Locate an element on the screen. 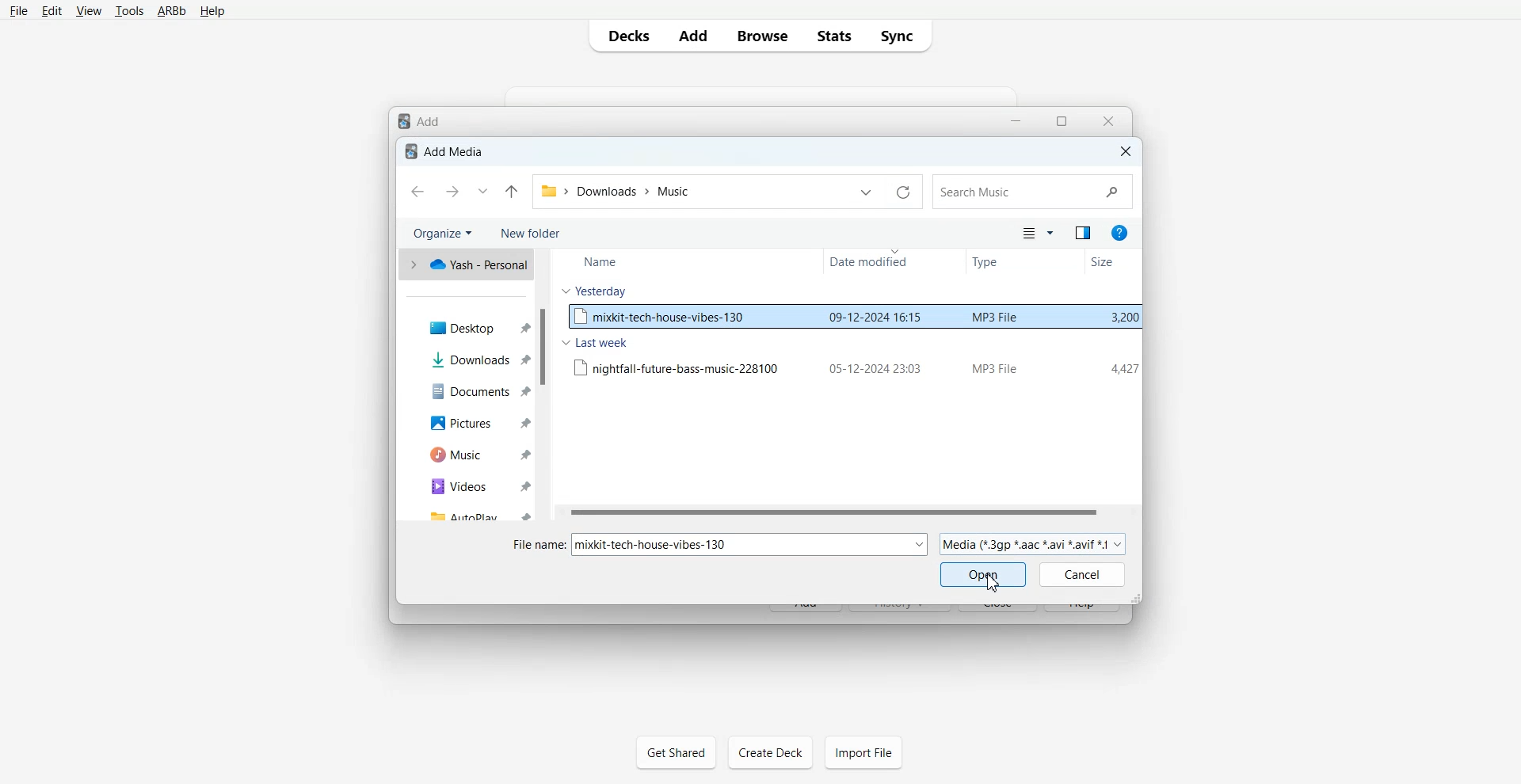 The width and height of the screenshot is (1521, 784). Type is located at coordinates (994, 261).